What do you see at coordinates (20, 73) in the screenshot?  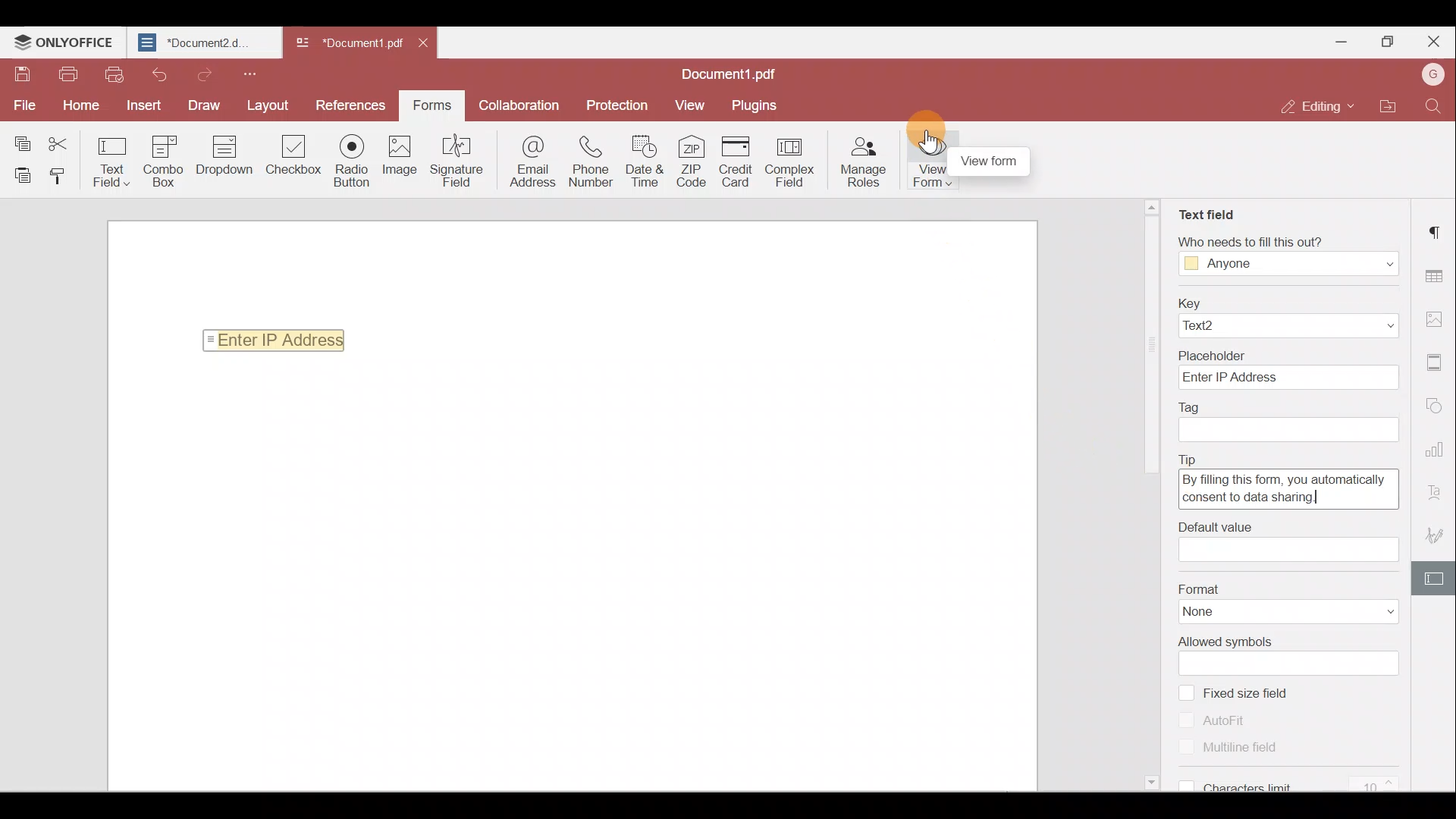 I see `Save` at bounding box center [20, 73].